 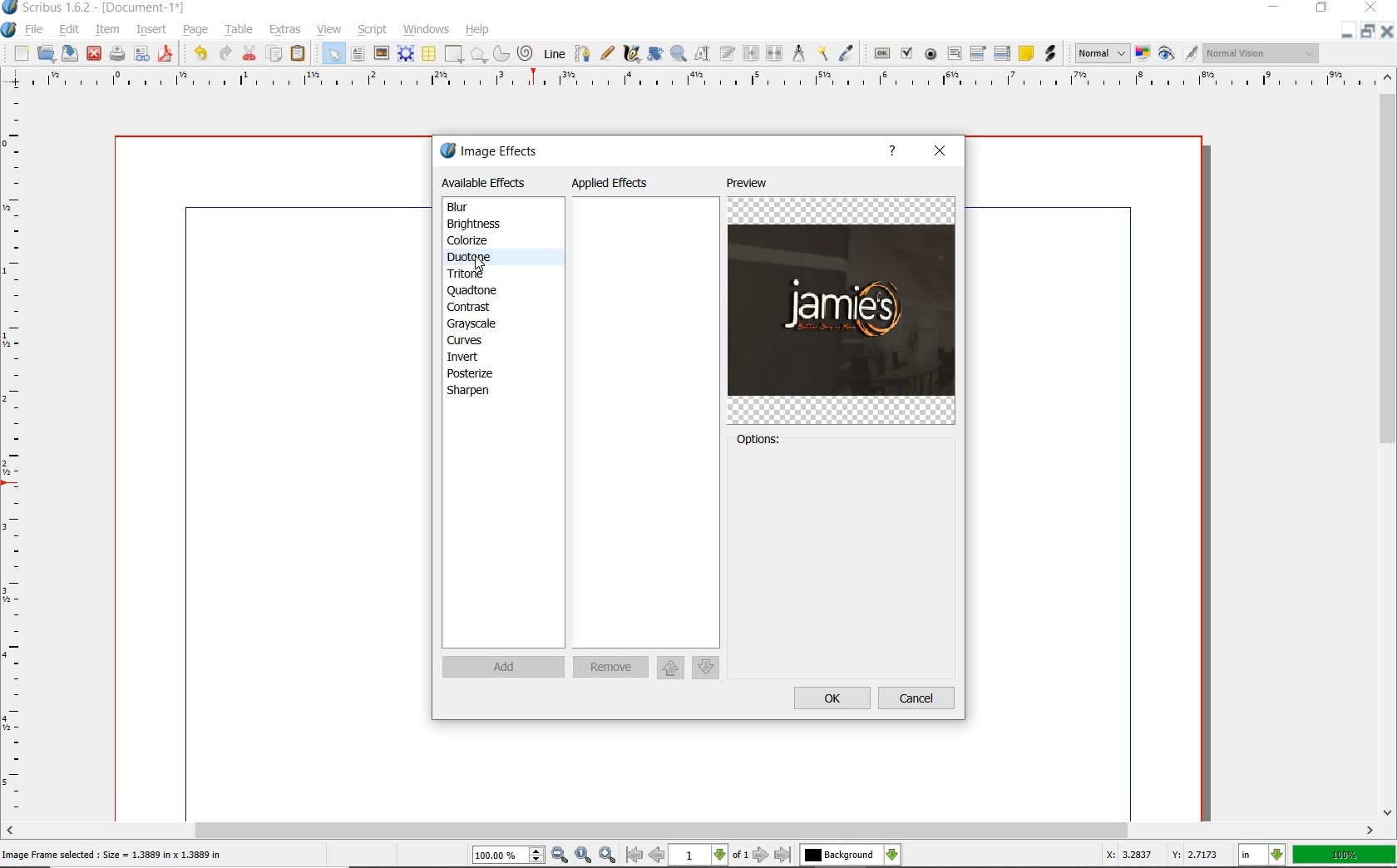 What do you see at coordinates (850, 856) in the screenshot?
I see `select the current layer` at bounding box center [850, 856].